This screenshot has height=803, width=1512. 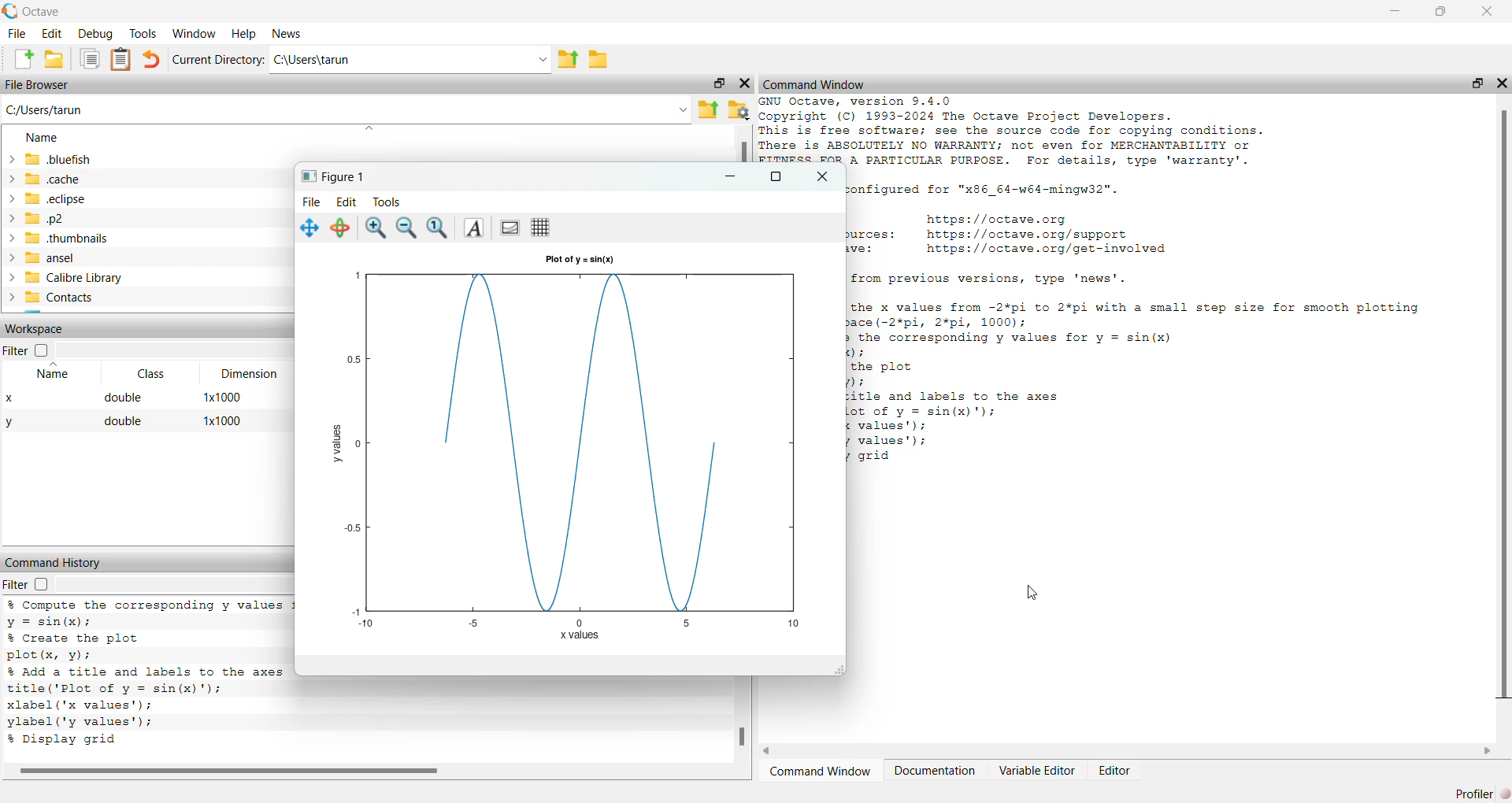 What do you see at coordinates (51, 179) in the screenshot?
I see `.cache` at bounding box center [51, 179].